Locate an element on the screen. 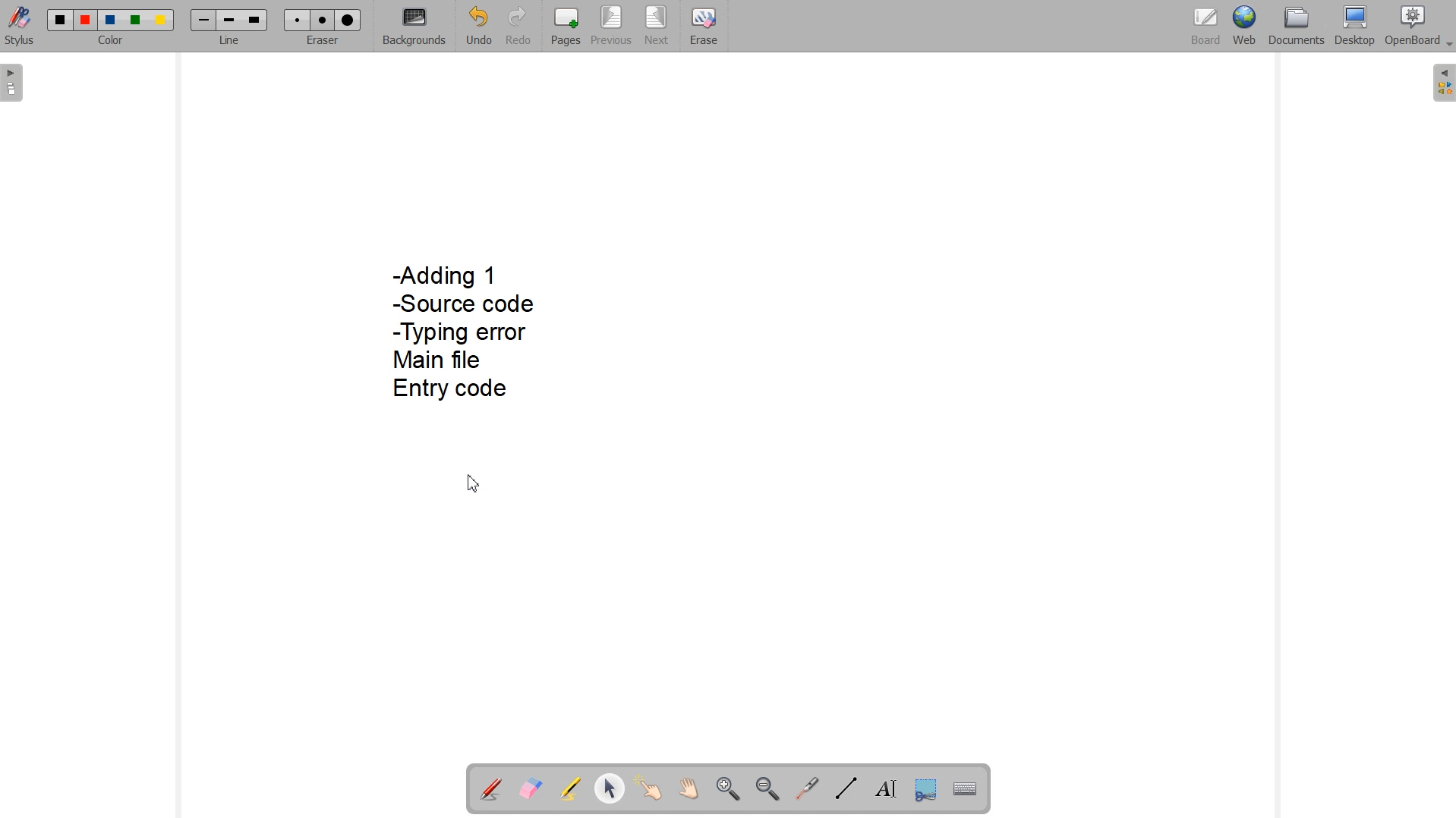 This screenshot has height=818, width=1456. Color 2 is located at coordinates (87, 20).